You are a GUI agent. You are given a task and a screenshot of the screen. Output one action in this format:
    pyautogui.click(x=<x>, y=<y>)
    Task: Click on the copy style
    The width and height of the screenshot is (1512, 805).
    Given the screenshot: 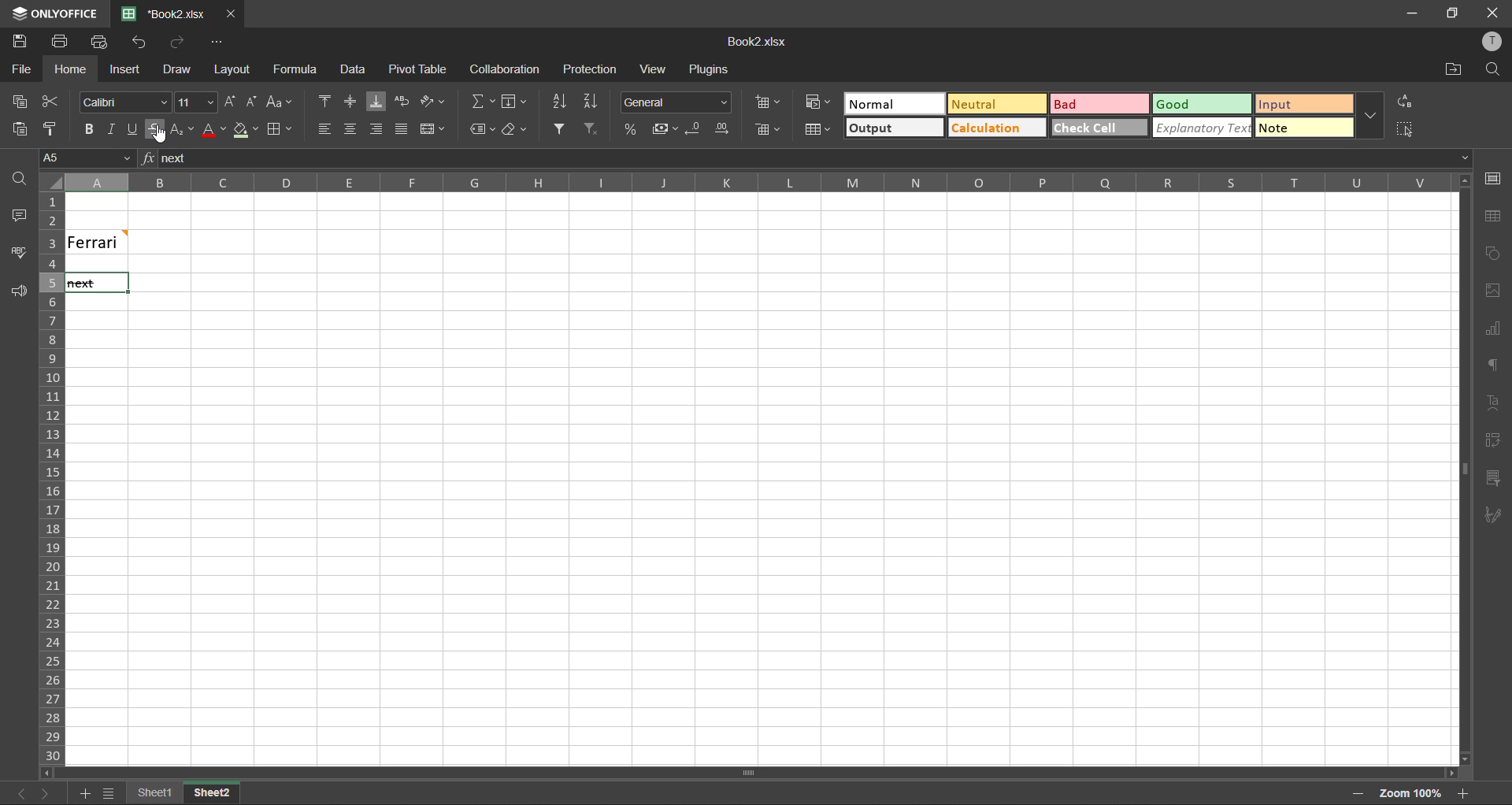 What is the action you would take?
    pyautogui.click(x=56, y=128)
    